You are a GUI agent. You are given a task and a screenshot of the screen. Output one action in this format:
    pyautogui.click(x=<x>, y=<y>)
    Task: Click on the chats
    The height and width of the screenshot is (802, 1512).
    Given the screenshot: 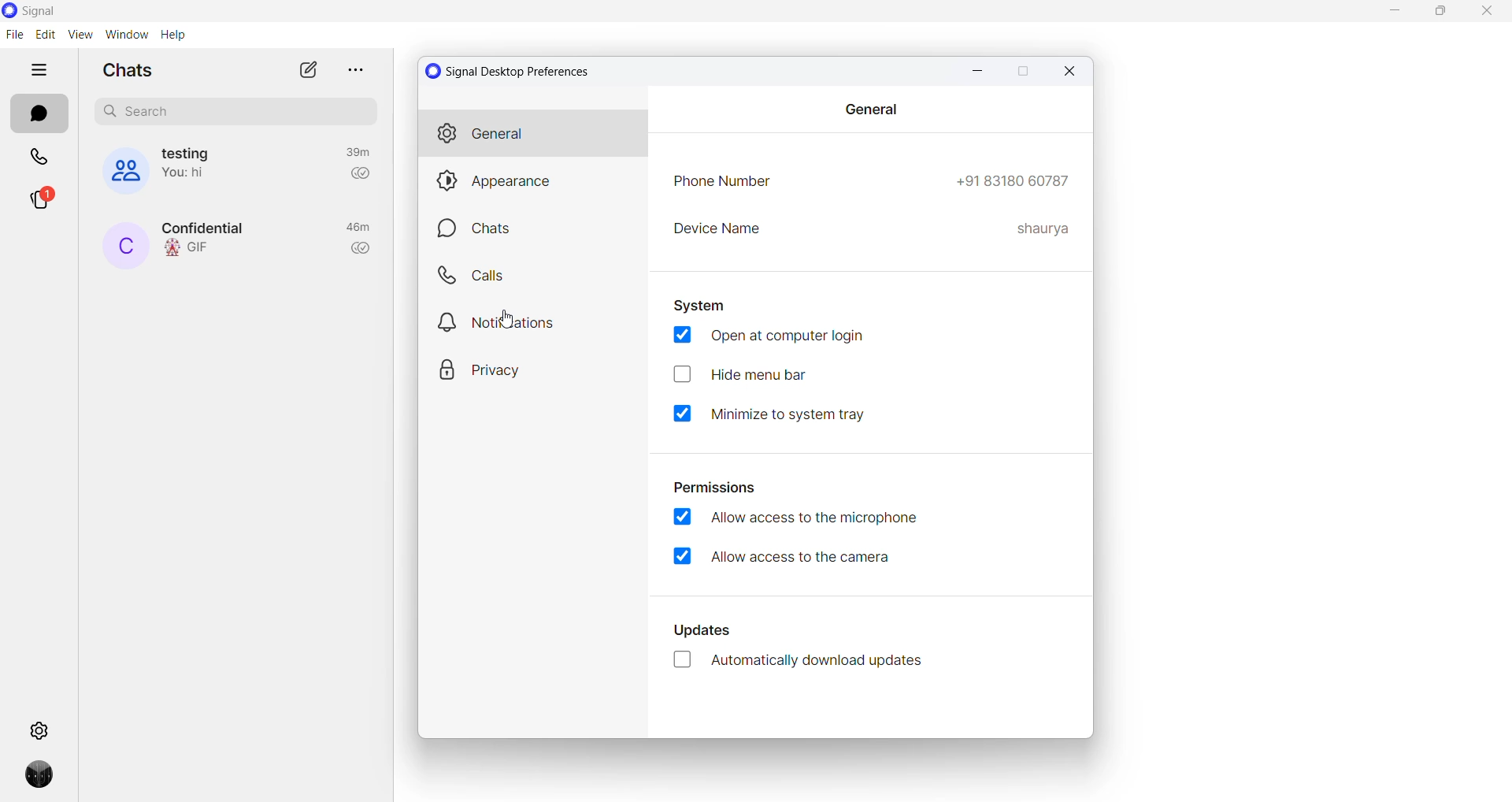 What is the action you would take?
    pyautogui.click(x=535, y=229)
    